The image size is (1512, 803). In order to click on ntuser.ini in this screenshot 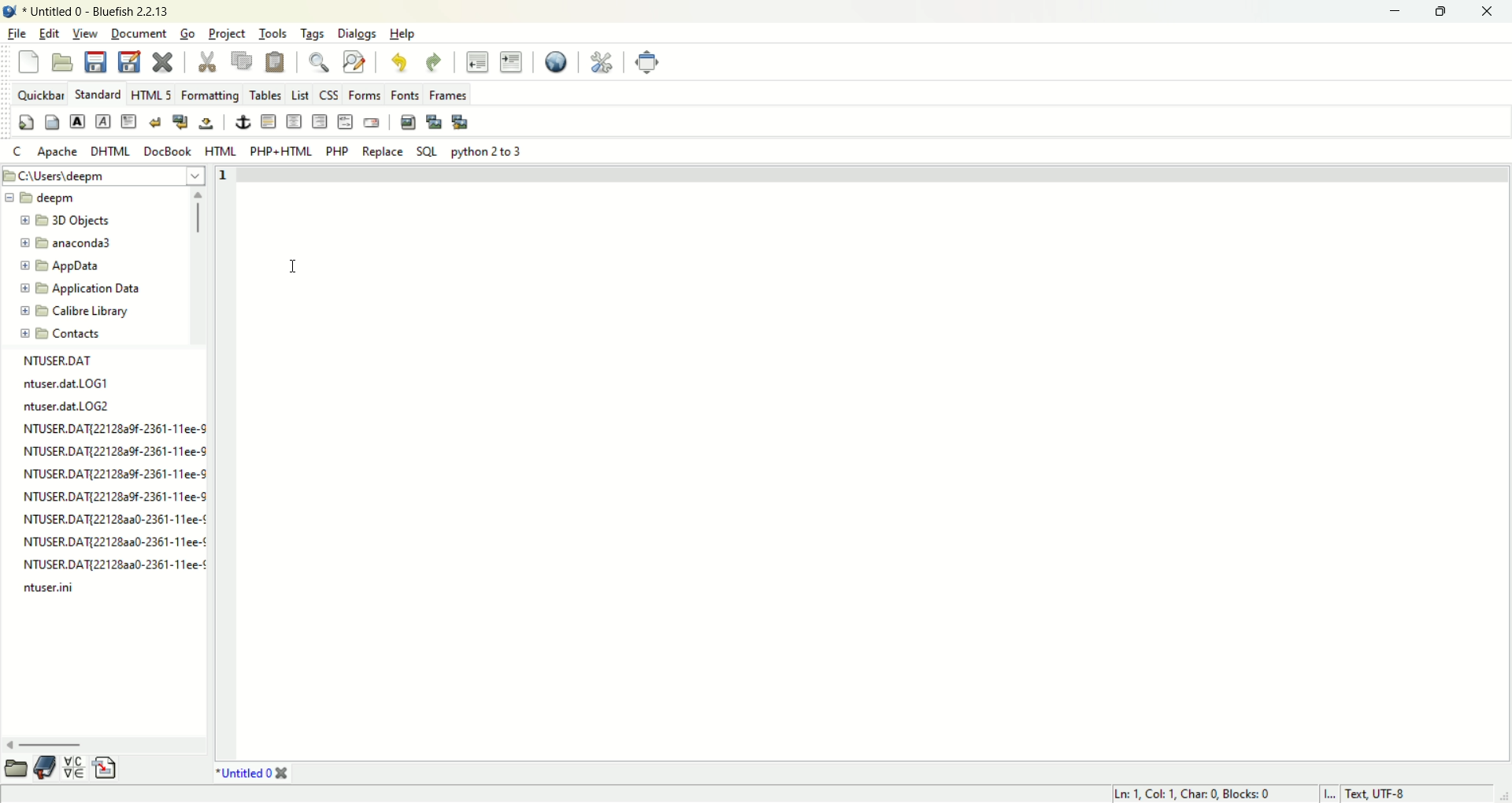, I will do `click(57, 593)`.